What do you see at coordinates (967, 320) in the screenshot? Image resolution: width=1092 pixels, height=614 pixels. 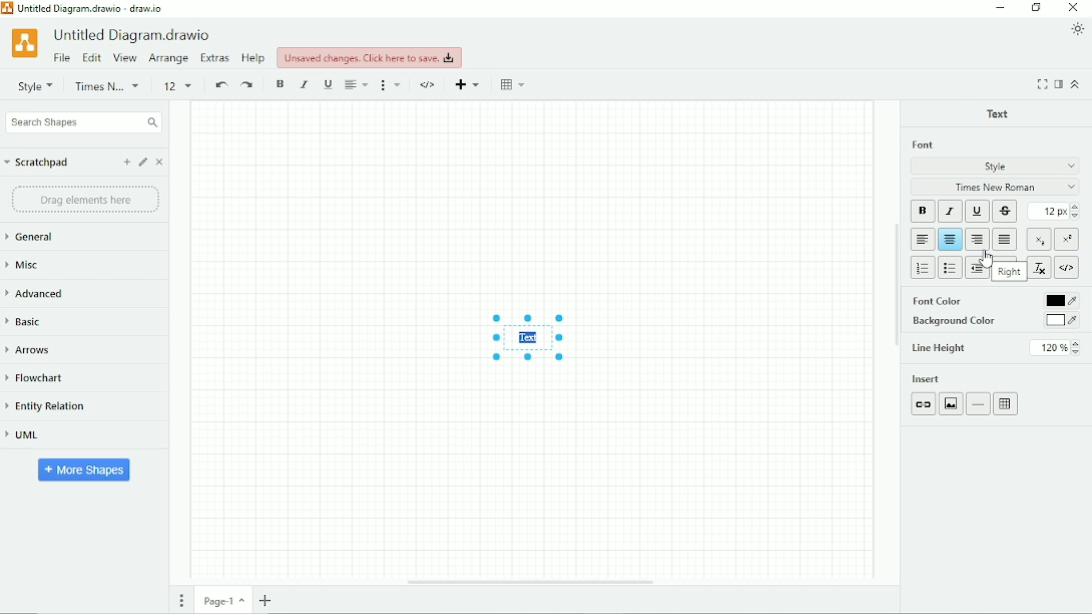 I see `Background Color` at bounding box center [967, 320].